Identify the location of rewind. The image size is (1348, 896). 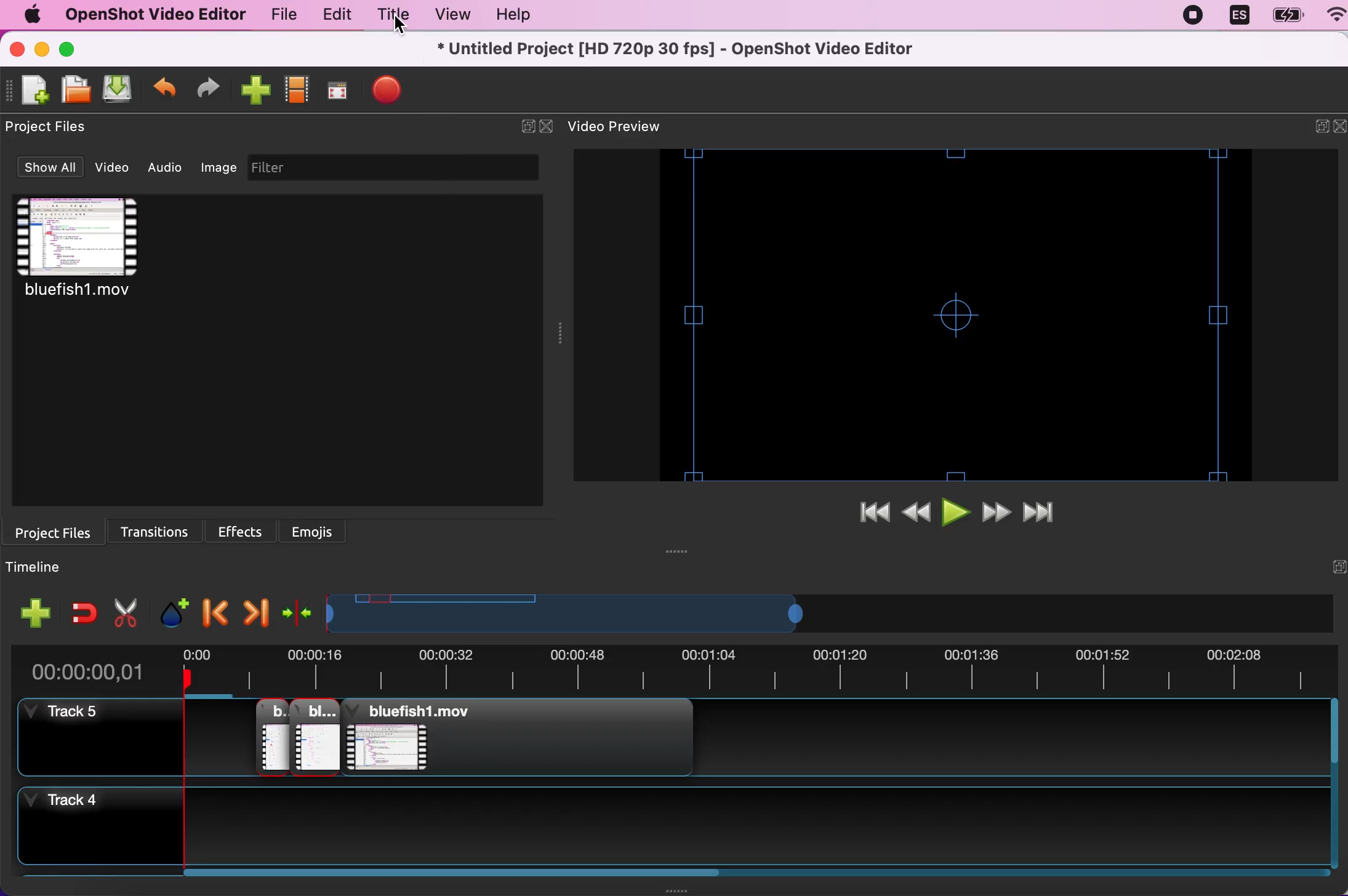
(918, 514).